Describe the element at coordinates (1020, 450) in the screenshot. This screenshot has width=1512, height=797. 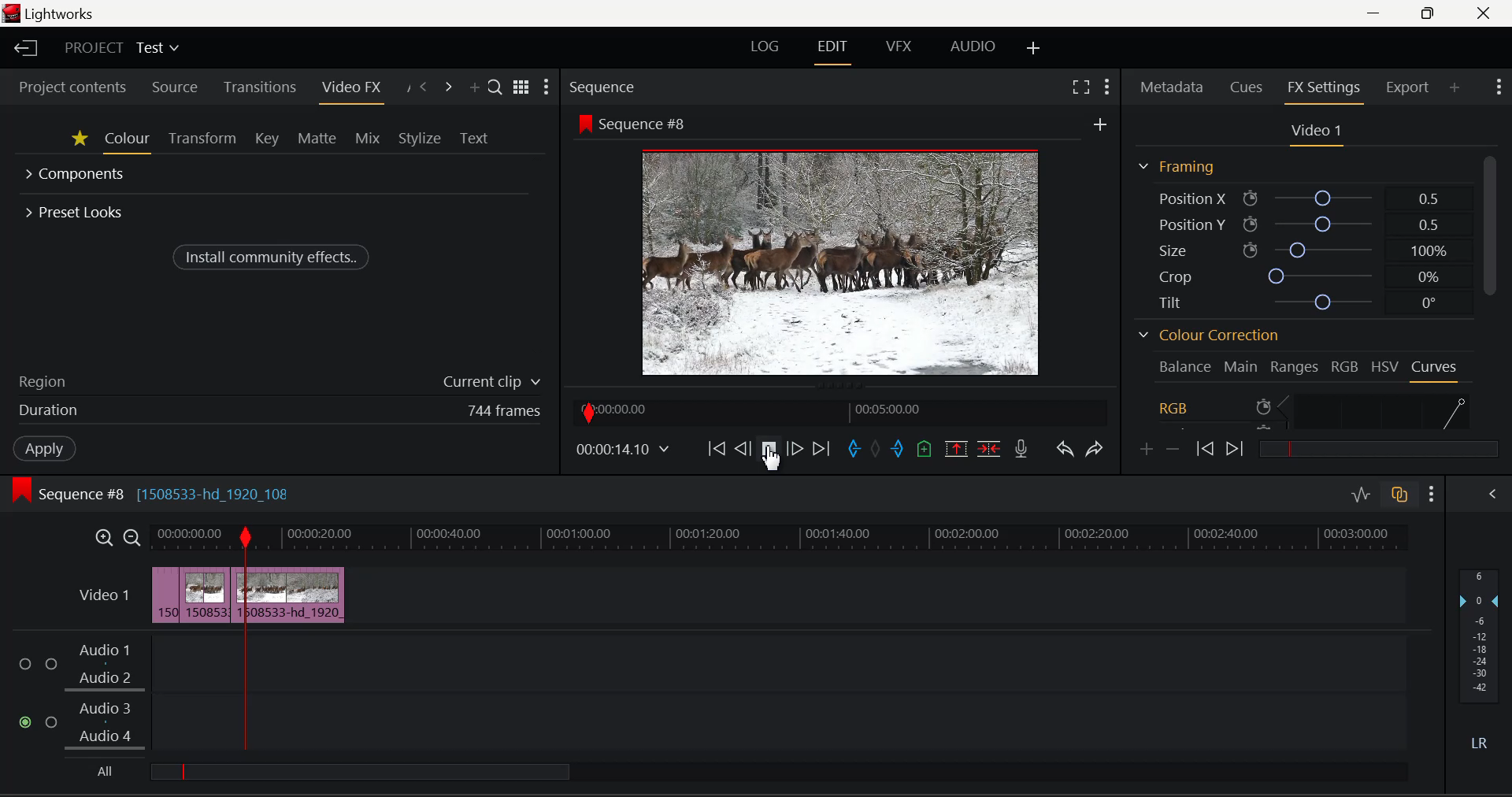
I see `Record Voiceover` at that location.